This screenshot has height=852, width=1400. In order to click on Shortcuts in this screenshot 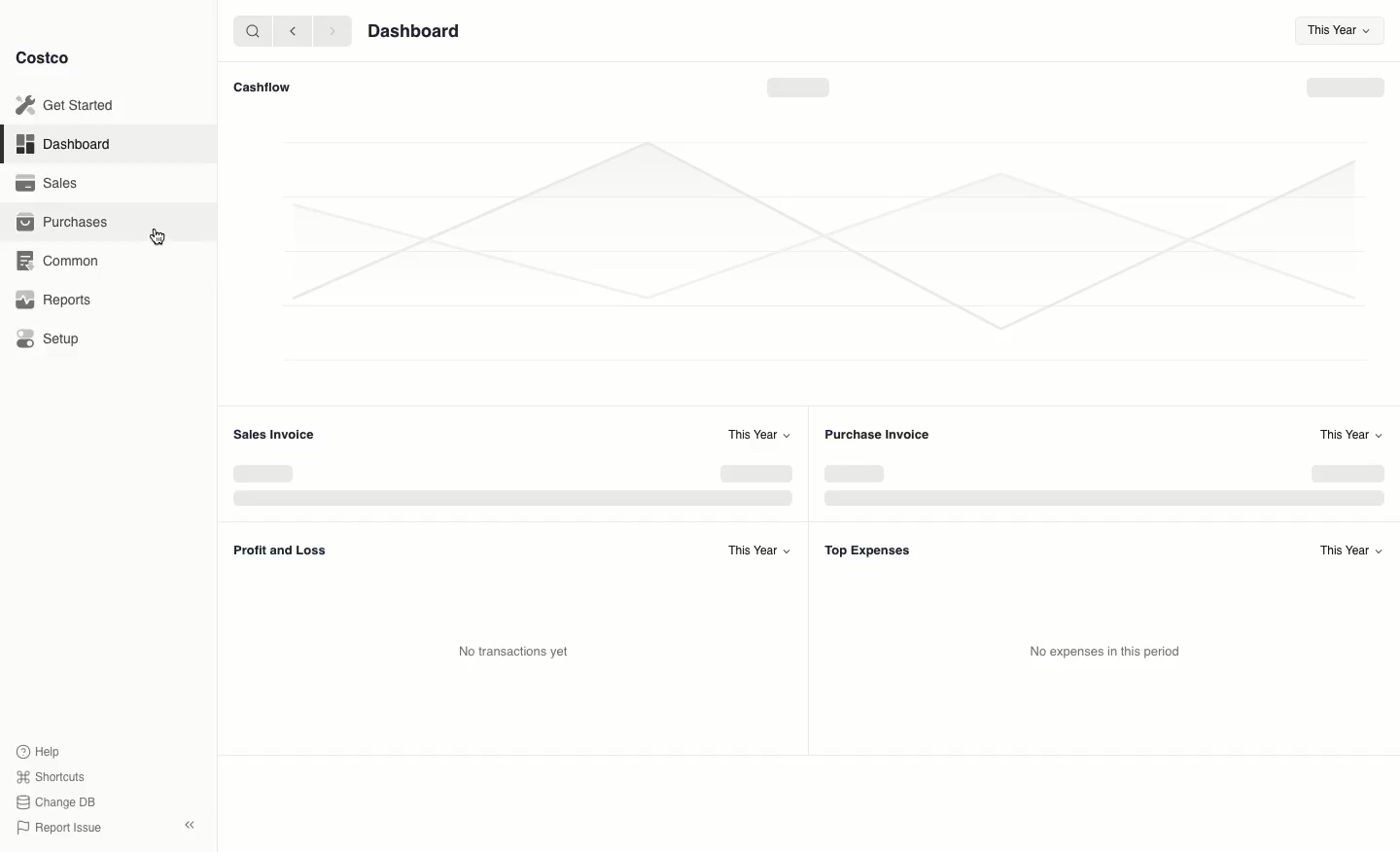, I will do `click(50, 775)`.